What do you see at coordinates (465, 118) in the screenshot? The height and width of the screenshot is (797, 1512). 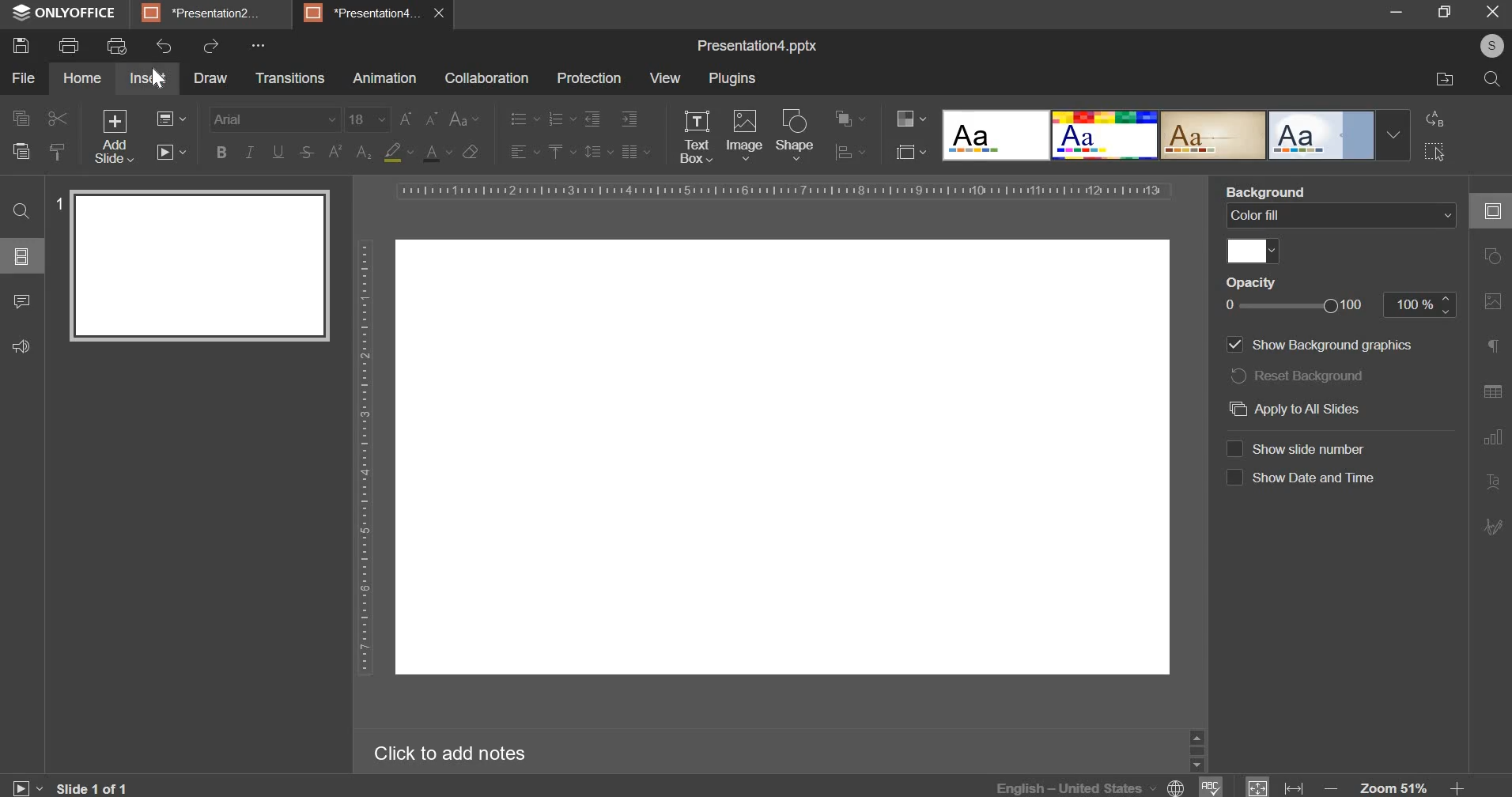 I see `change case` at bounding box center [465, 118].